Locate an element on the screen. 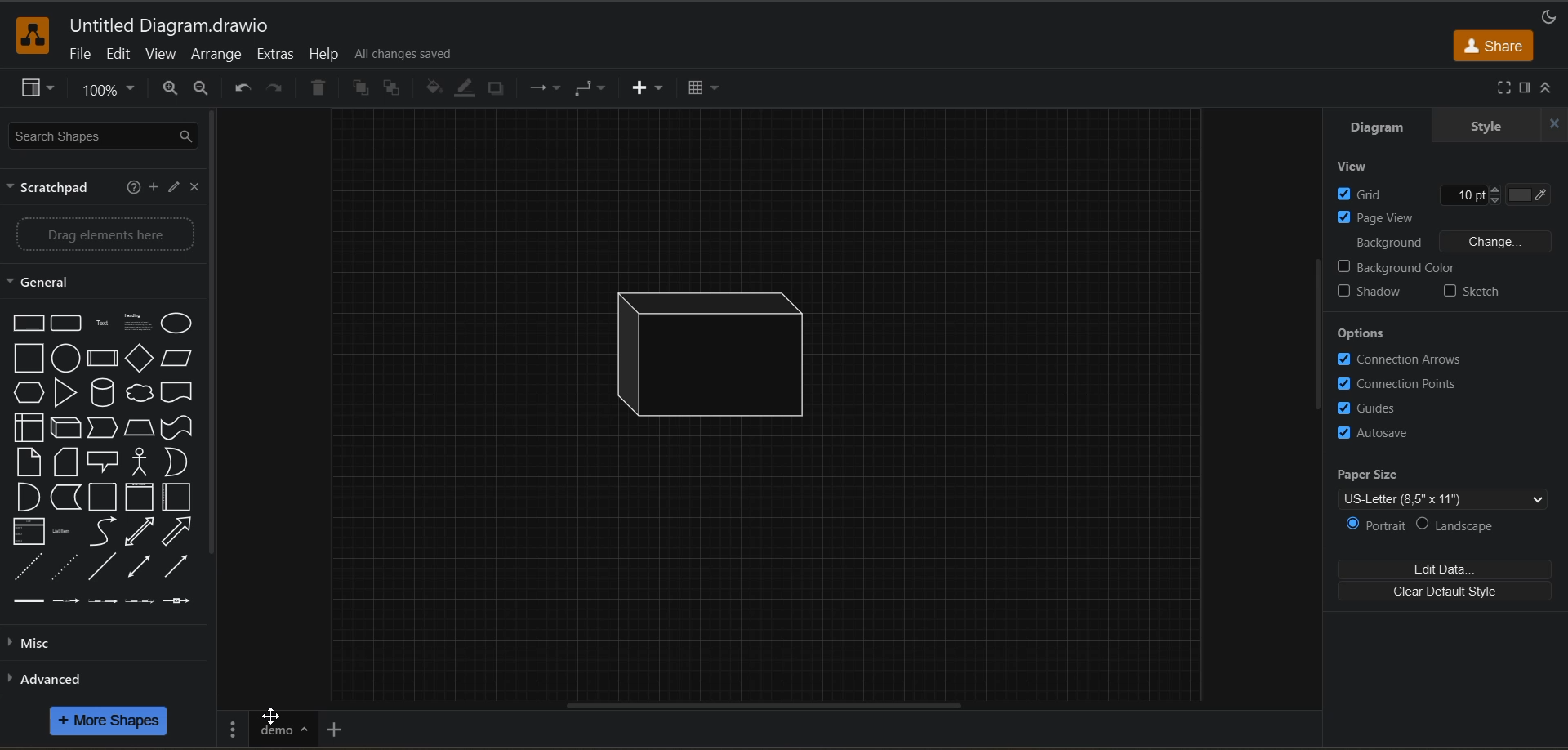 The image size is (1568, 750). page view is located at coordinates (1384, 216).